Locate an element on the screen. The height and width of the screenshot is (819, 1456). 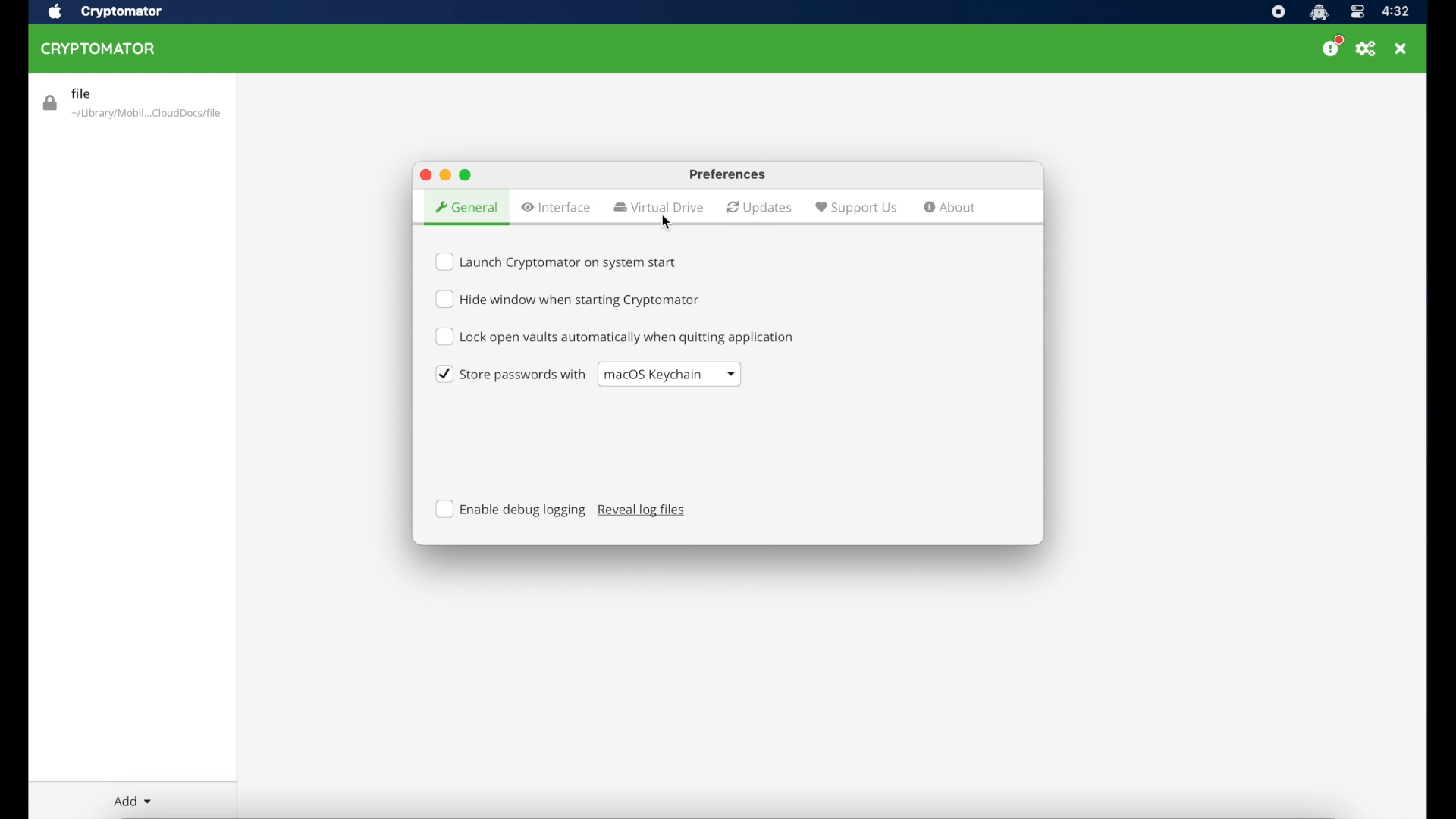
about is located at coordinates (950, 207).